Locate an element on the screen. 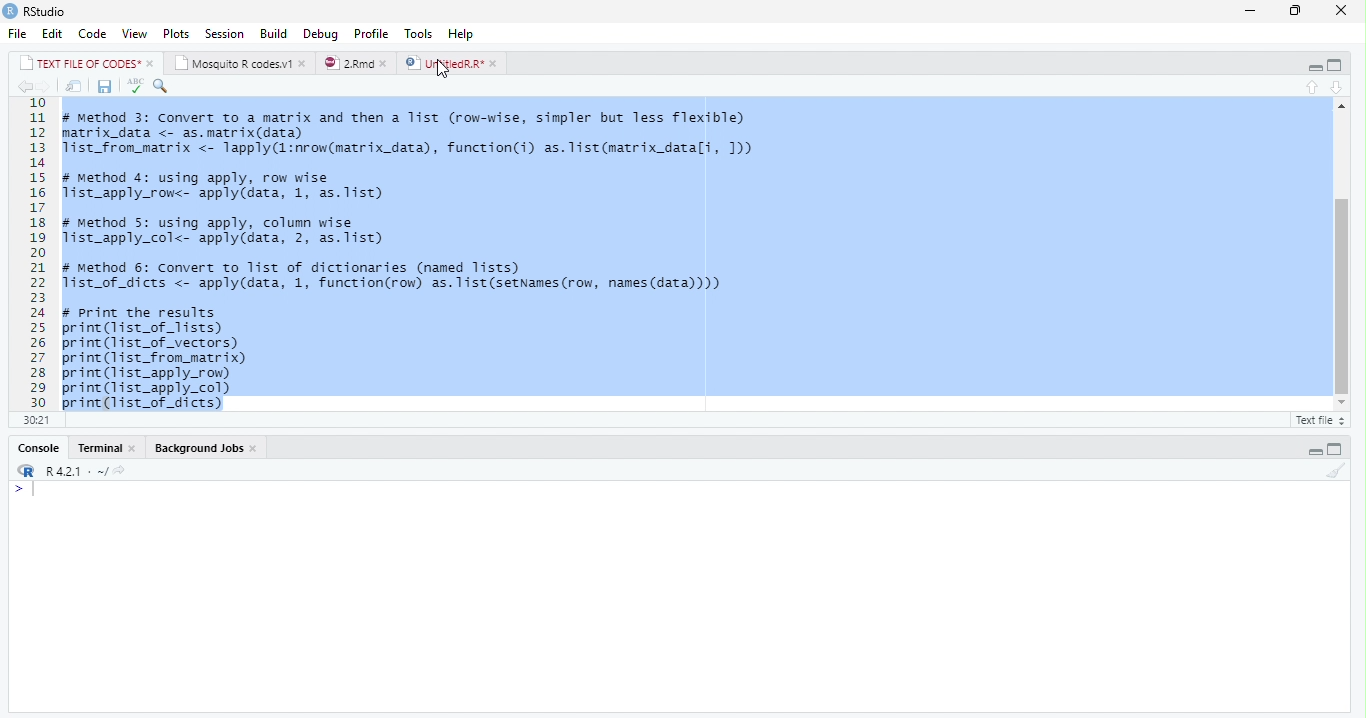  Line number is located at coordinates (37, 253).